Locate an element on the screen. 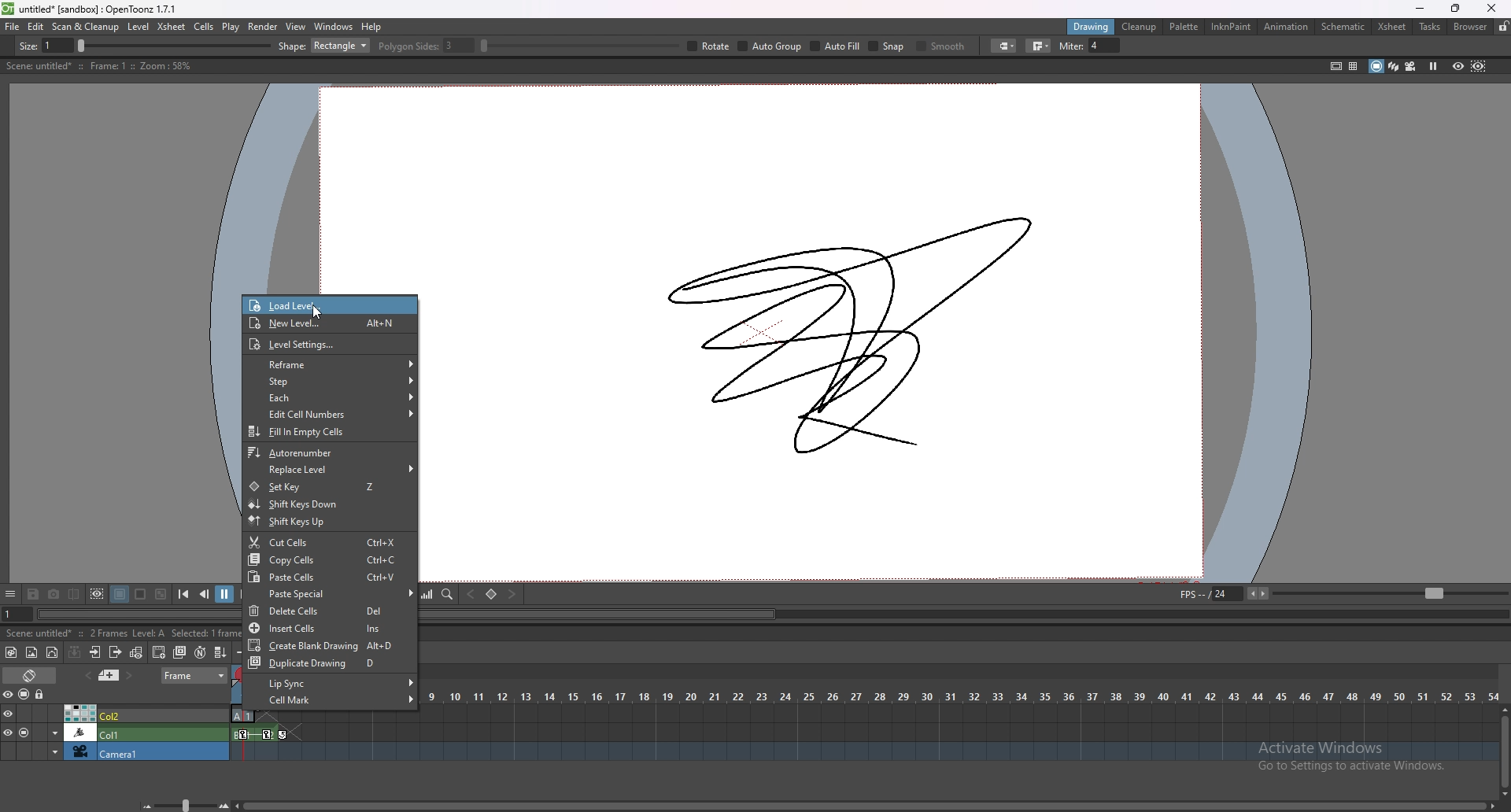 The image size is (1511, 812). checkered background is located at coordinates (160, 595).